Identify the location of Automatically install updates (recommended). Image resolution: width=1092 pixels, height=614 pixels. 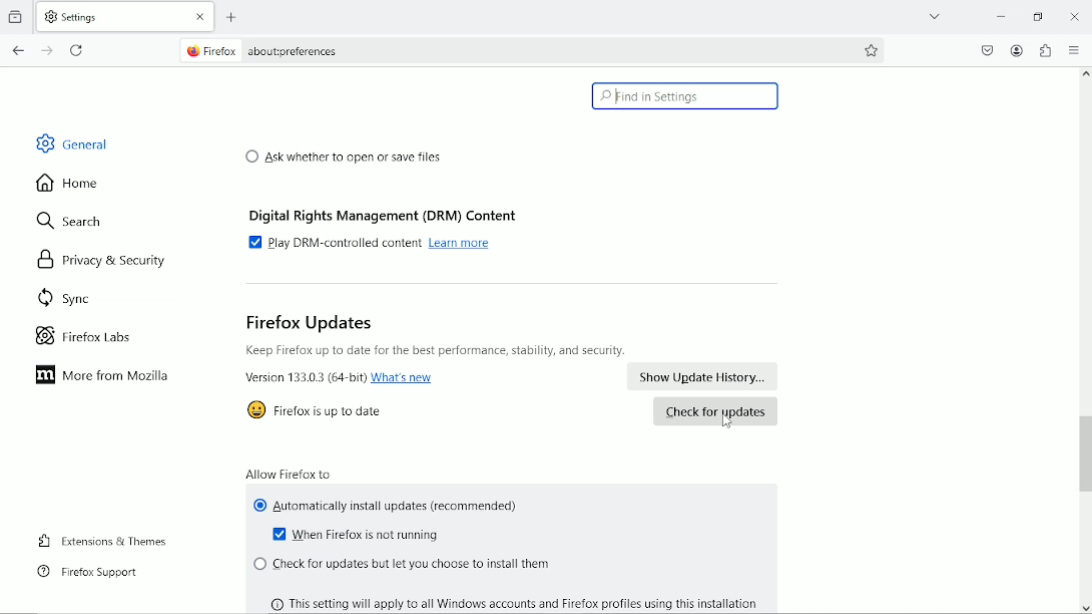
(388, 507).